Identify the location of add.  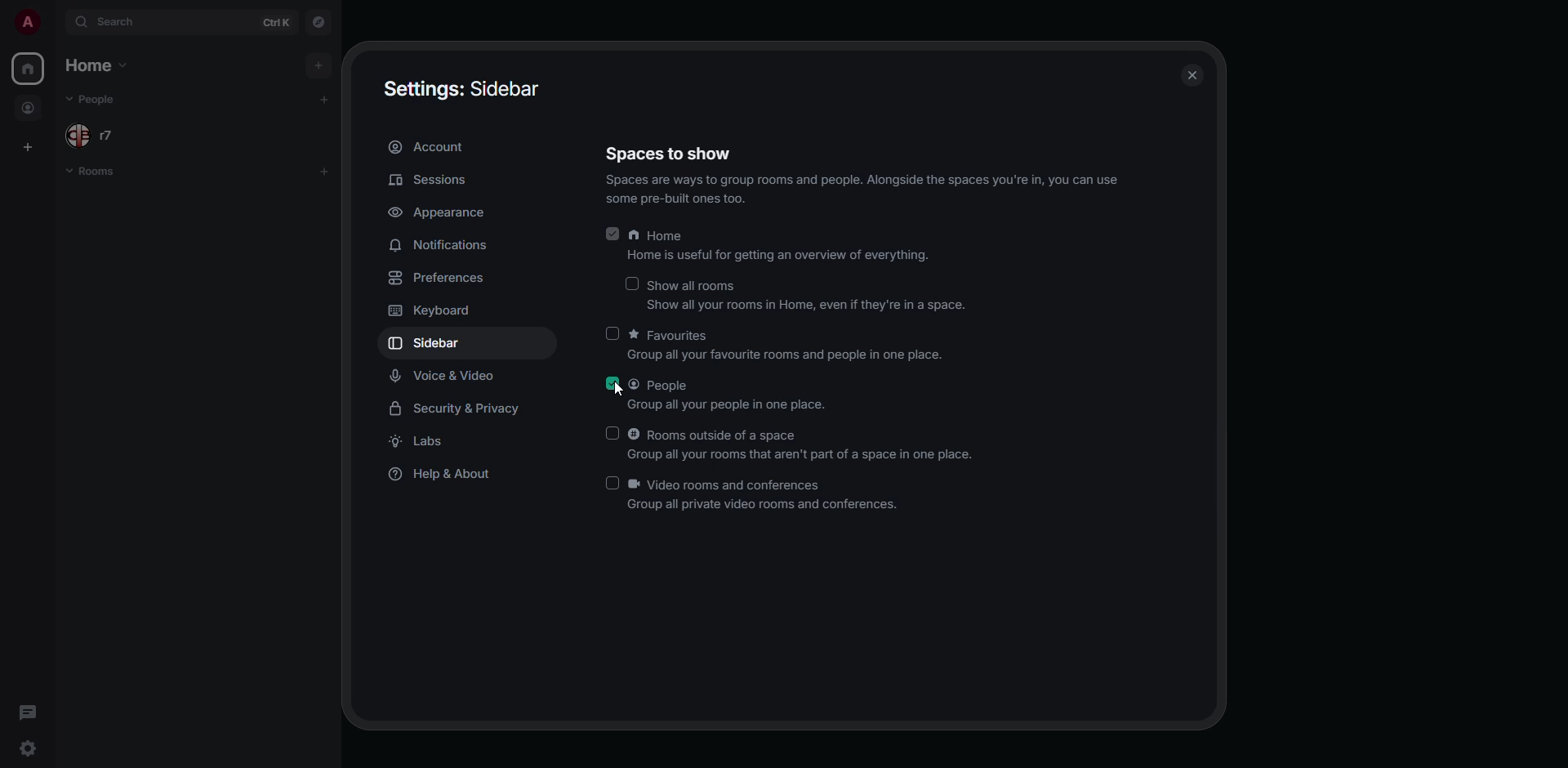
(329, 169).